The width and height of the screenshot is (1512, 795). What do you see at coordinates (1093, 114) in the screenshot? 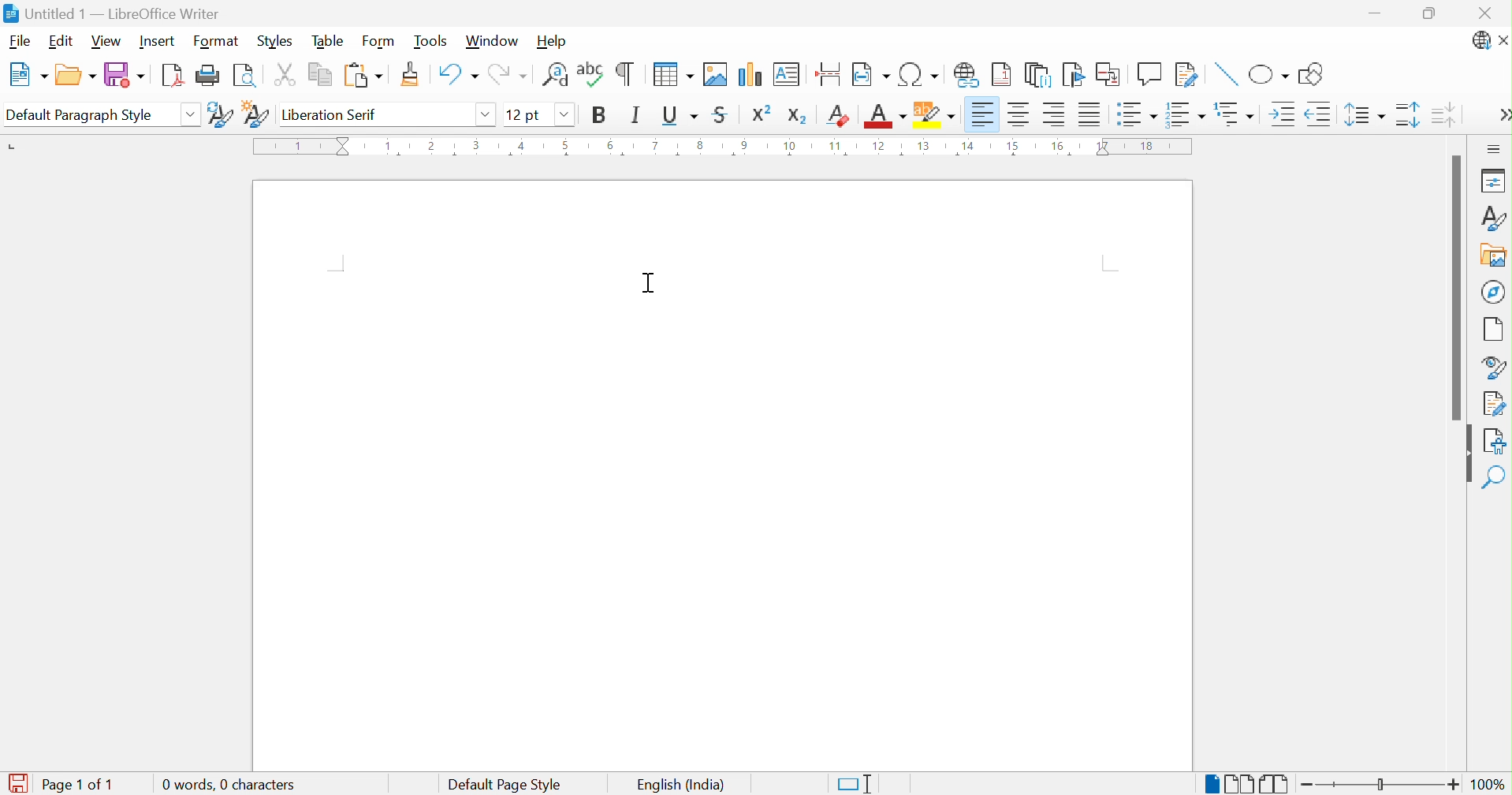
I see `Justified` at bounding box center [1093, 114].